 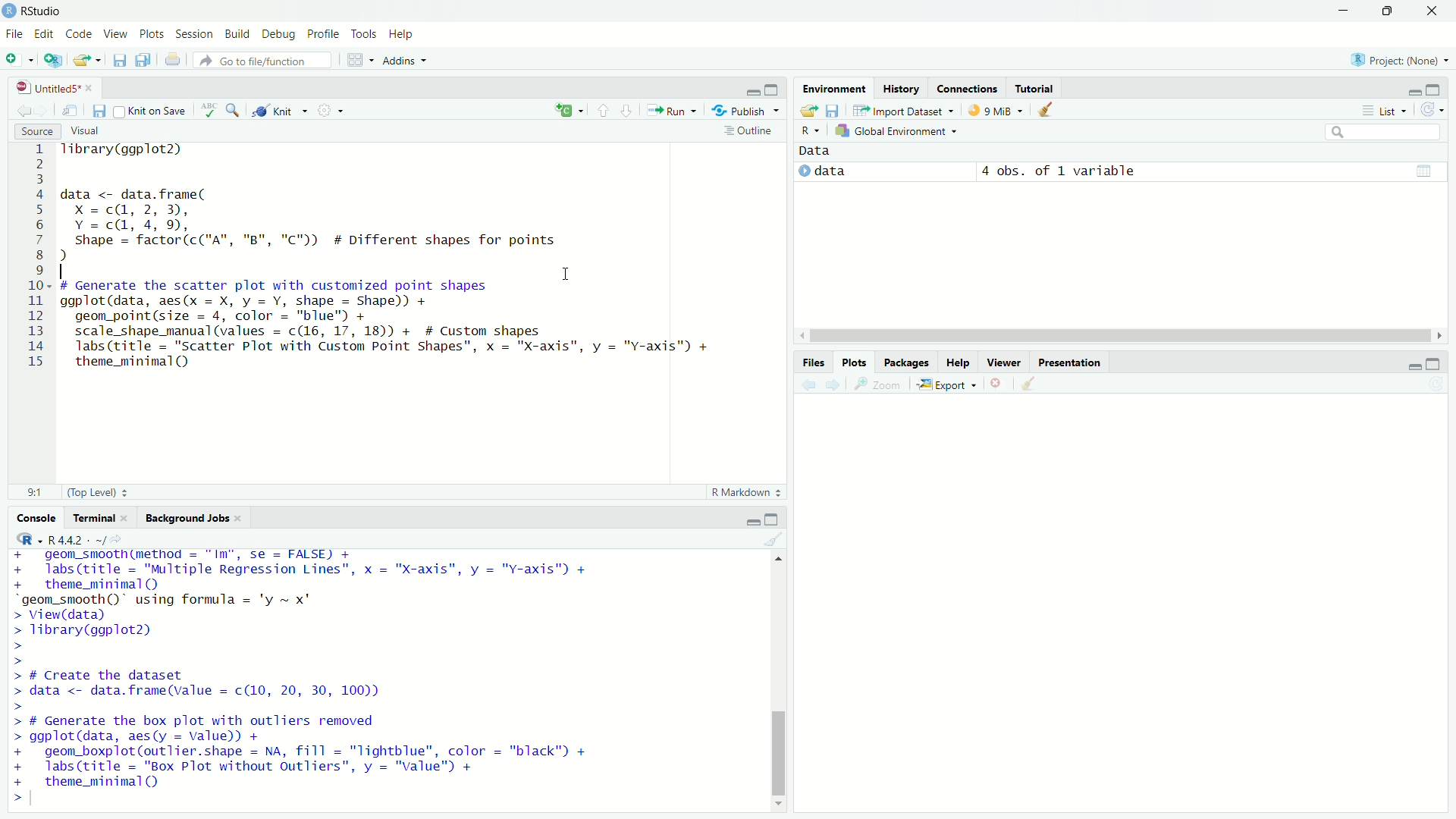 I want to click on close, so click(x=89, y=88).